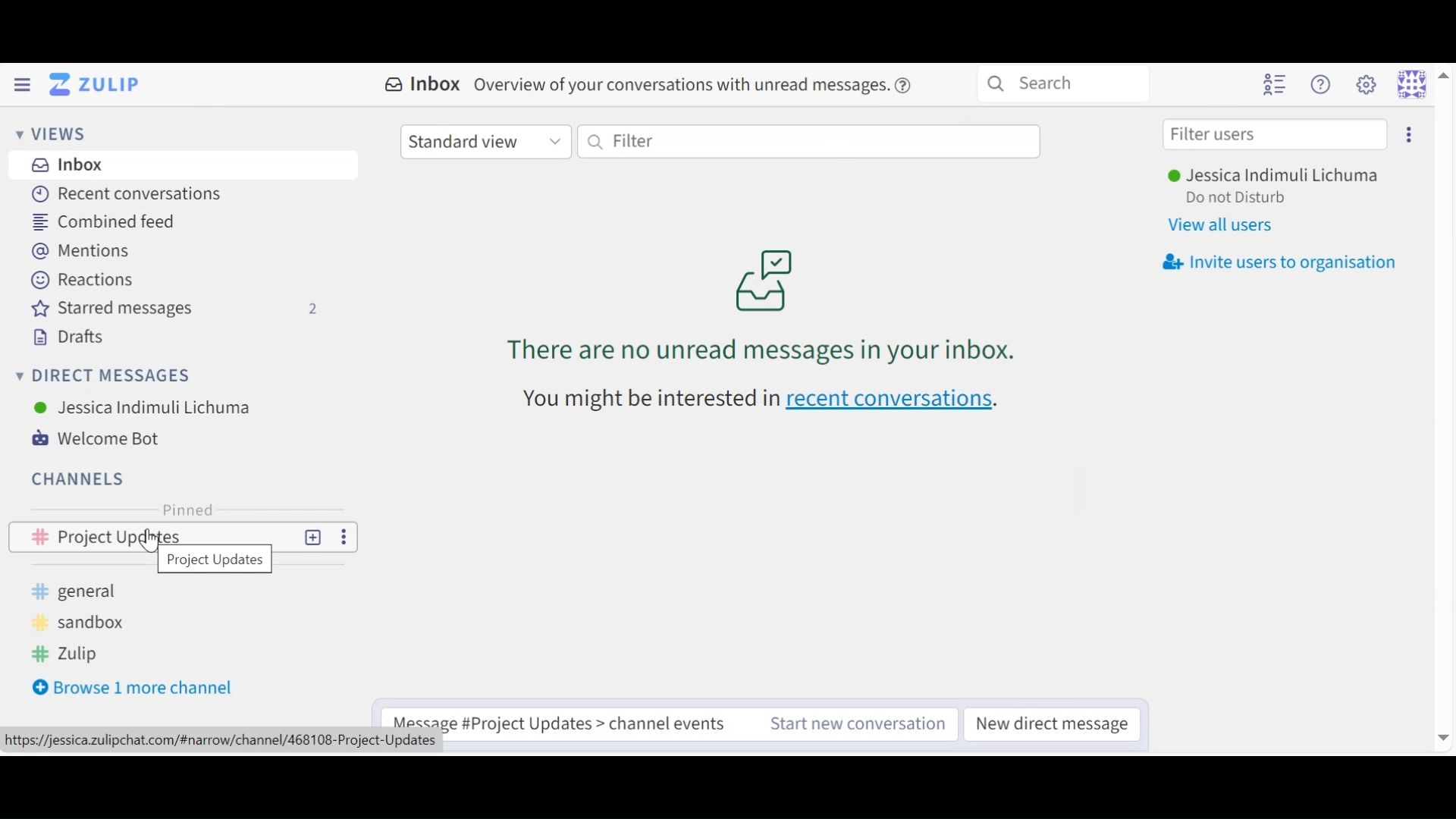 Image resolution: width=1456 pixels, height=819 pixels. Describe the element at coordinates (185, 511) in the screenshot. I see `Pinned` at that location.